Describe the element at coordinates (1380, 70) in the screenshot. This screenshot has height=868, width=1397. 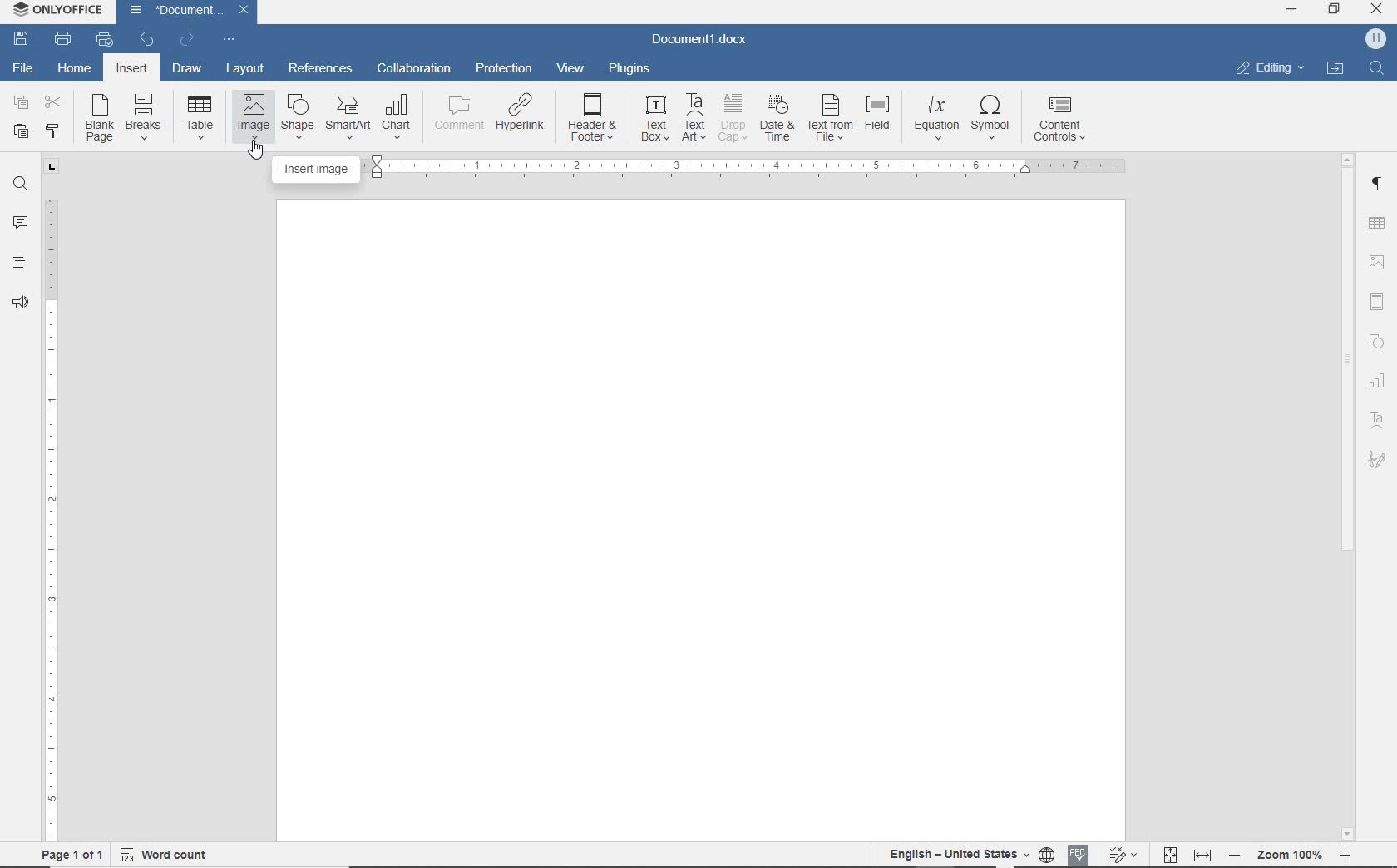
I see `Find` at that location.